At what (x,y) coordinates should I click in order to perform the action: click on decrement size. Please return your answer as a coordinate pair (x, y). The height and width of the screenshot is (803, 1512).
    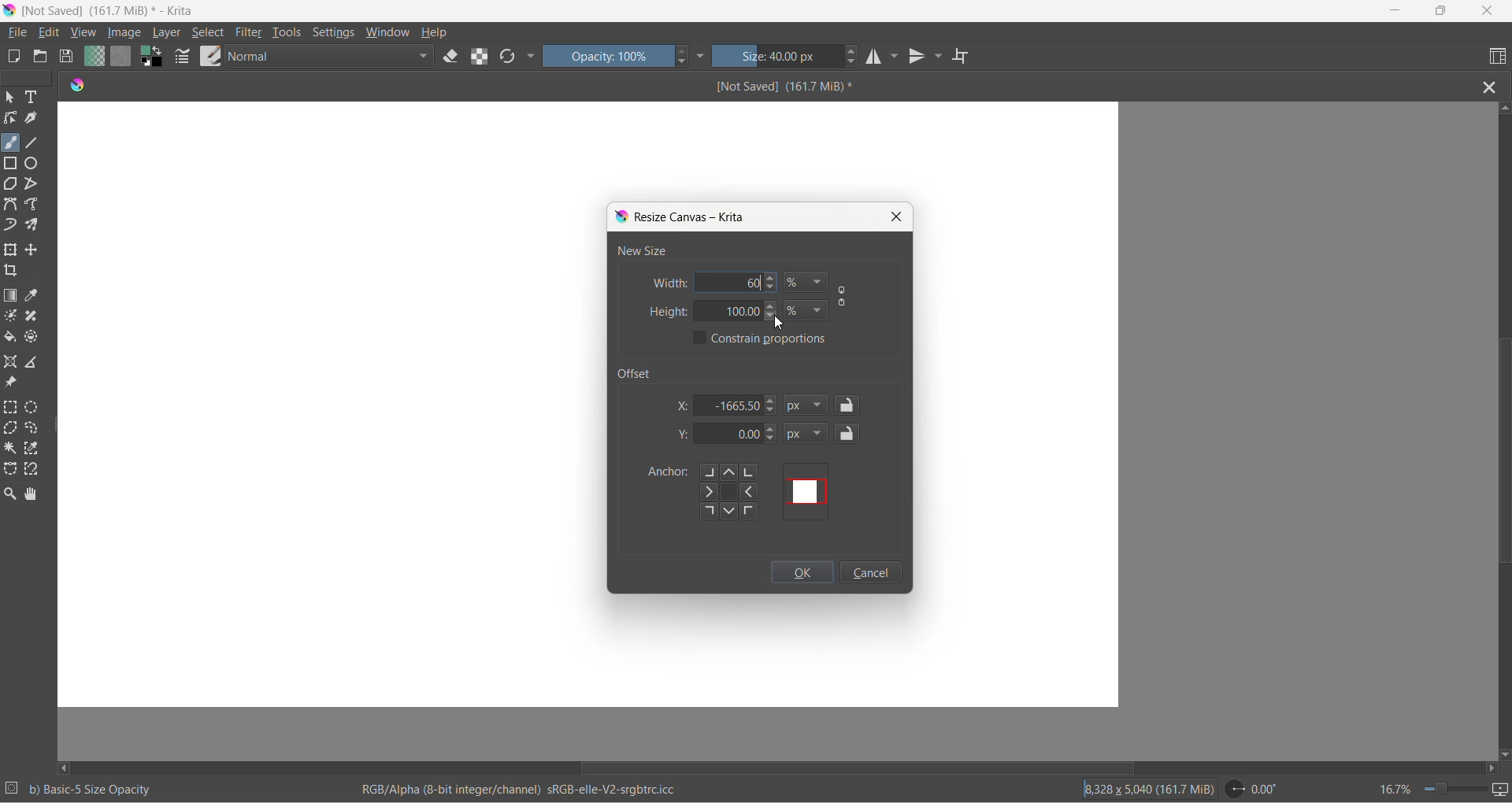
    Looking at the image, I should click on (857, 62).